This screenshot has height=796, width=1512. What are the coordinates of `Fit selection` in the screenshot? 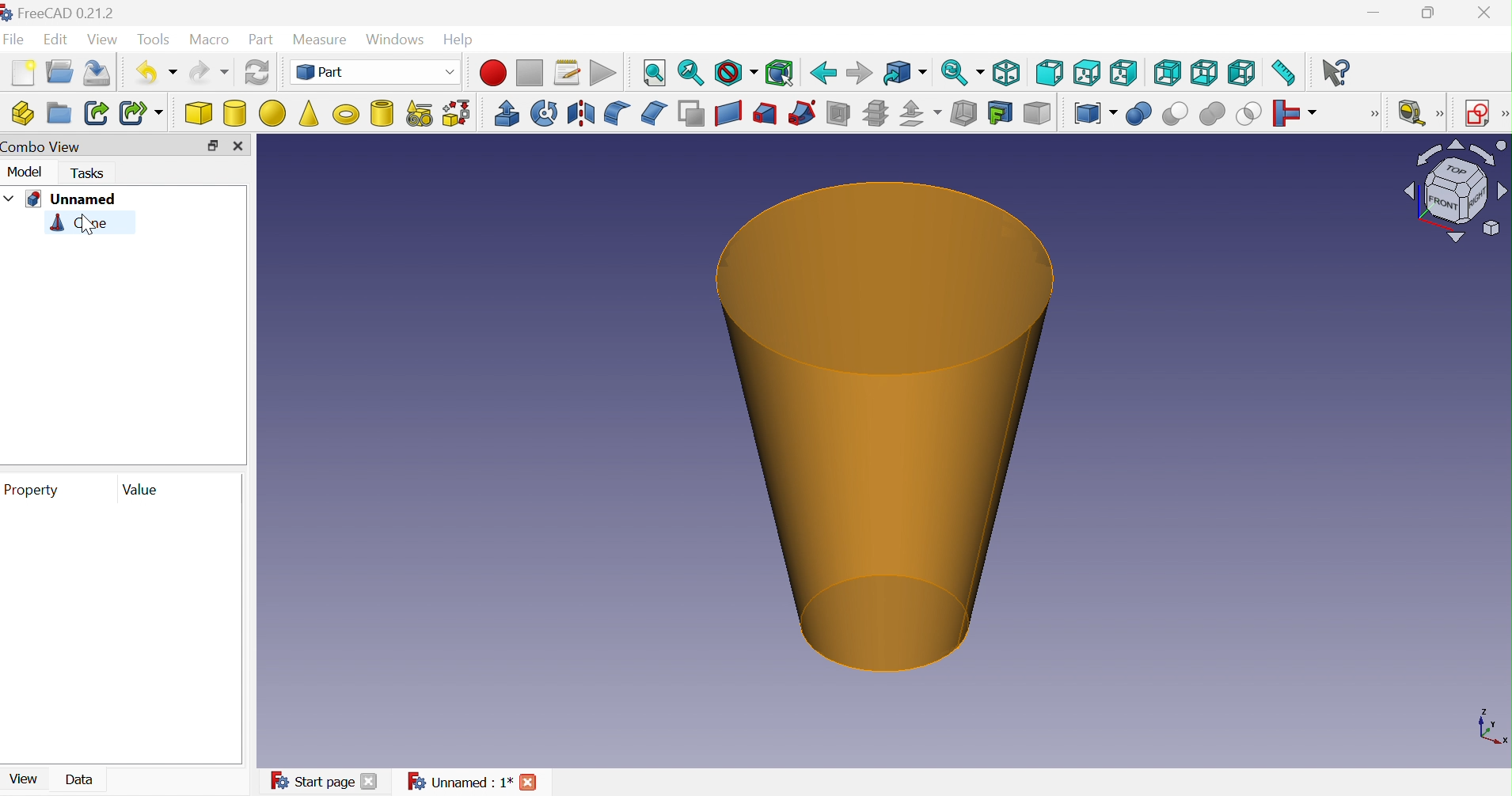 It's located at (690, 75).